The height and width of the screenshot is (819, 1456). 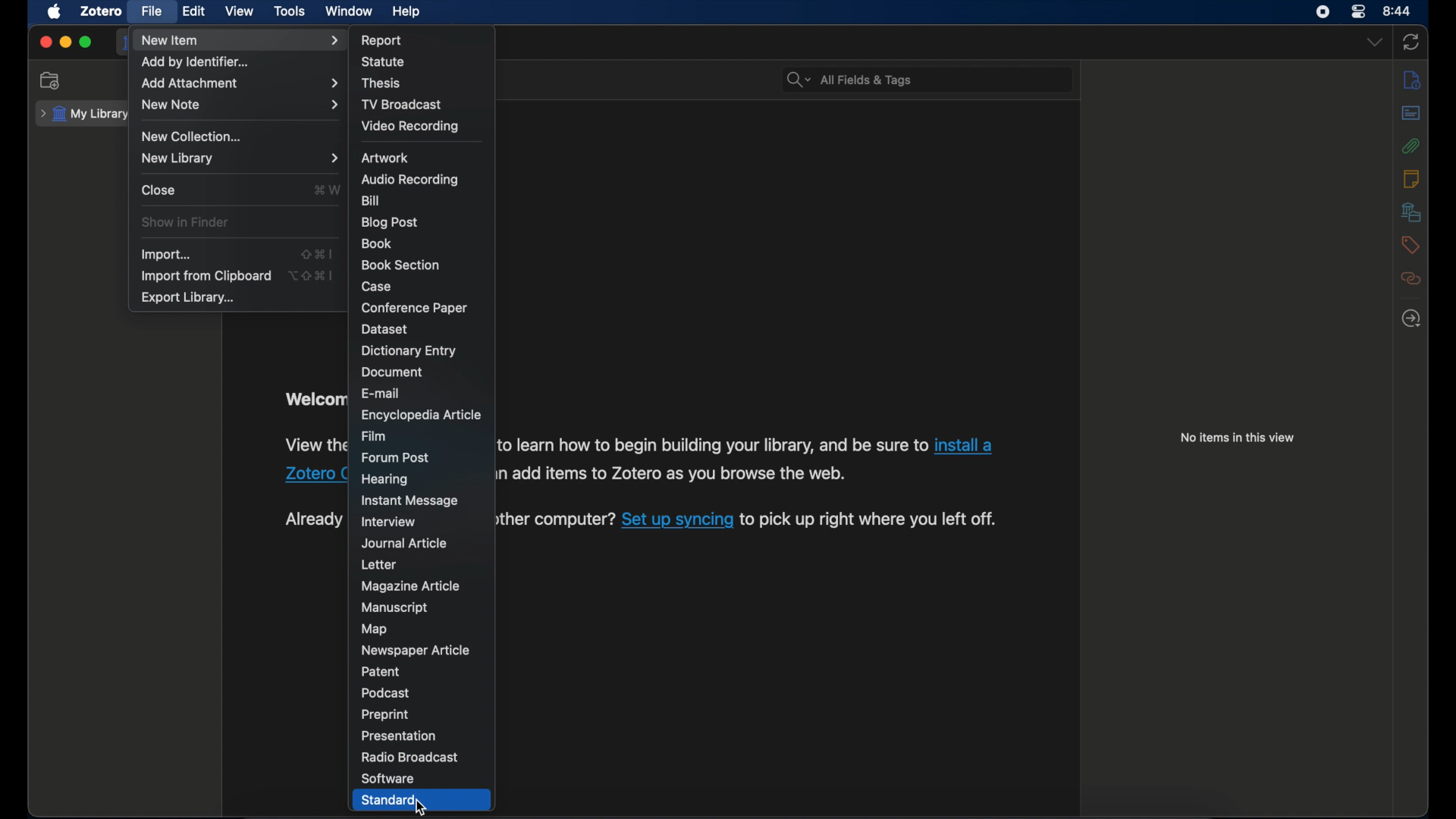 What do you see at coordinates (711, 444) in the screenshot?
I see `software information` at bounding box center [711, 444].